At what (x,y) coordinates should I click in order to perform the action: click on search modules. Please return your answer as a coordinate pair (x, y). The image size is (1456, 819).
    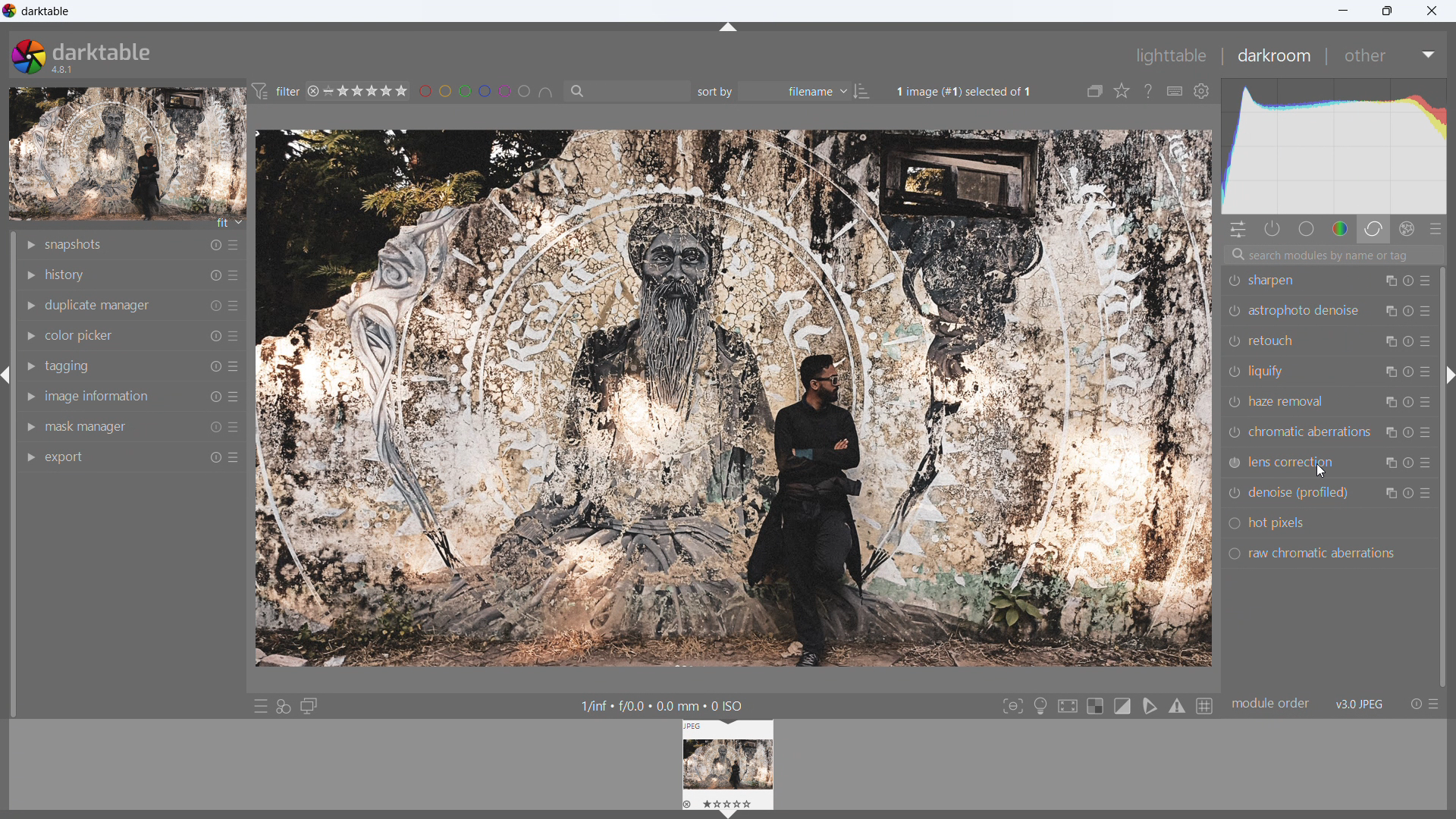
    Looking at the image, I should click on (1335, 256).